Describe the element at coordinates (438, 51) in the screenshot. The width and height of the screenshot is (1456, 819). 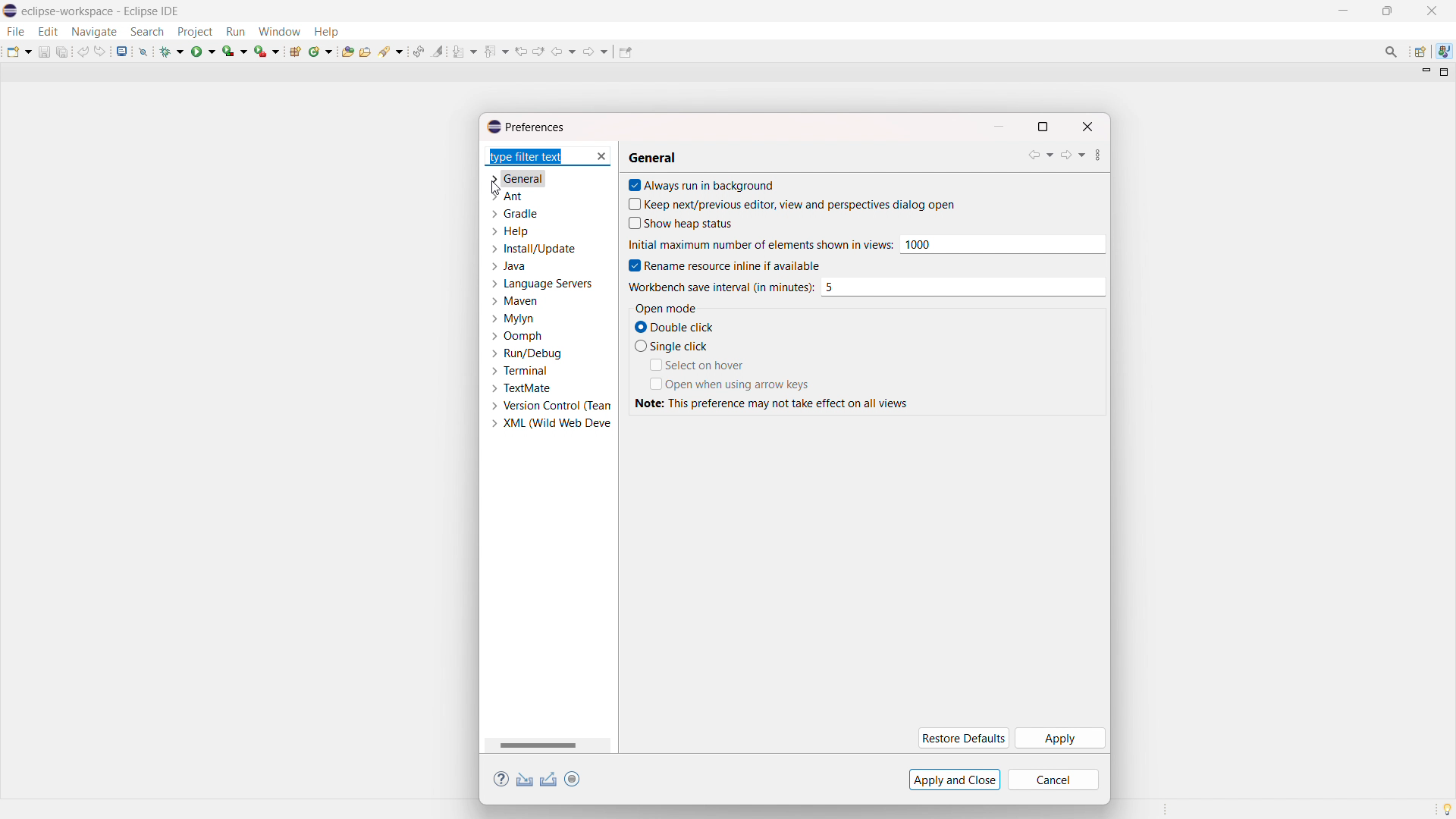
I see `toggle ant mark occurances` at that location.